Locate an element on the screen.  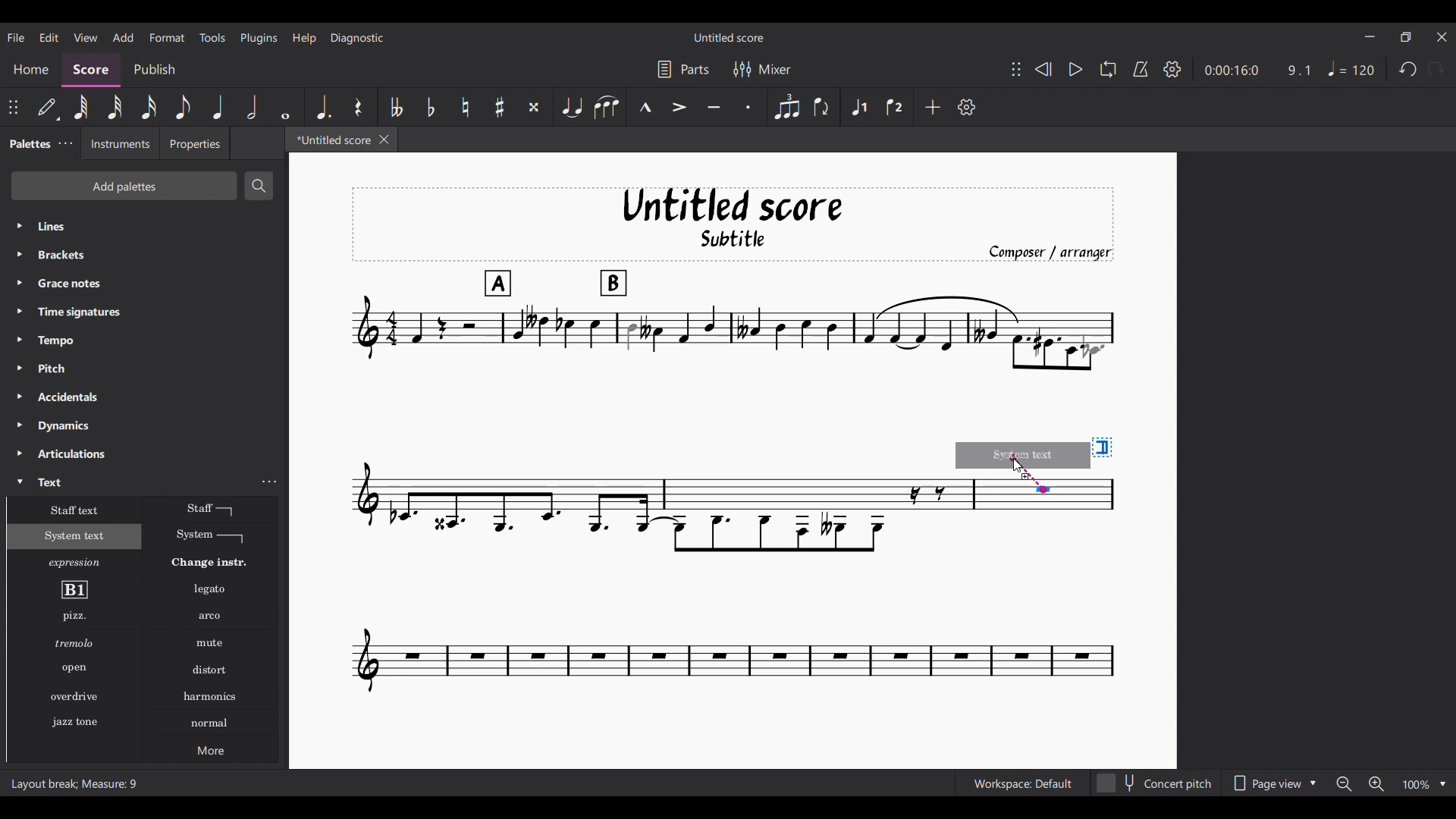
Marcato is located at coordinates (645, 107).